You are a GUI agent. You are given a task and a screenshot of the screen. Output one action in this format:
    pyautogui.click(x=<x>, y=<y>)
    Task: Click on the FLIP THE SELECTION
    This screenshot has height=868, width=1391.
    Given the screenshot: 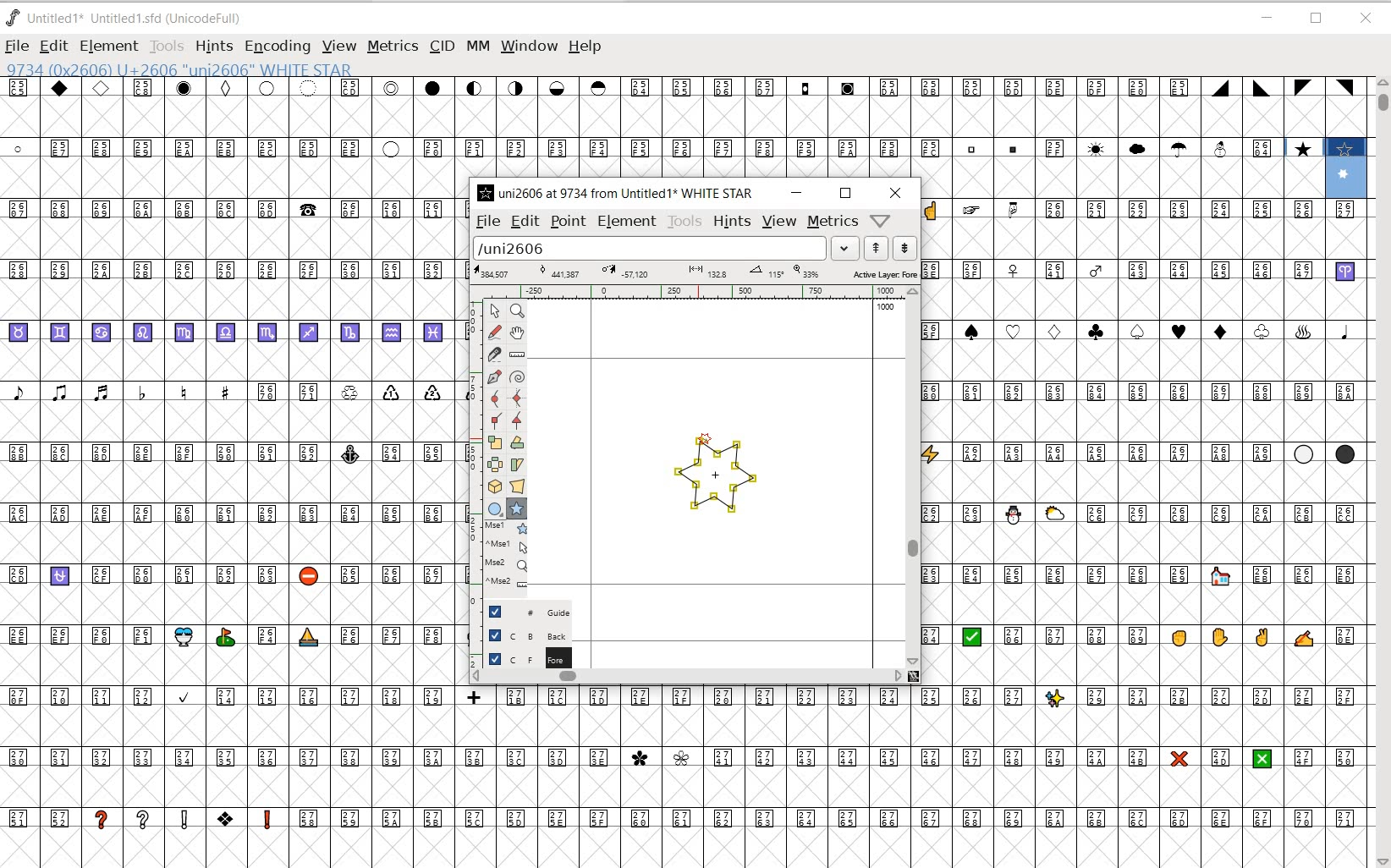 What is the action you would take?
    pyautogui.click(x=496, y=465)
    